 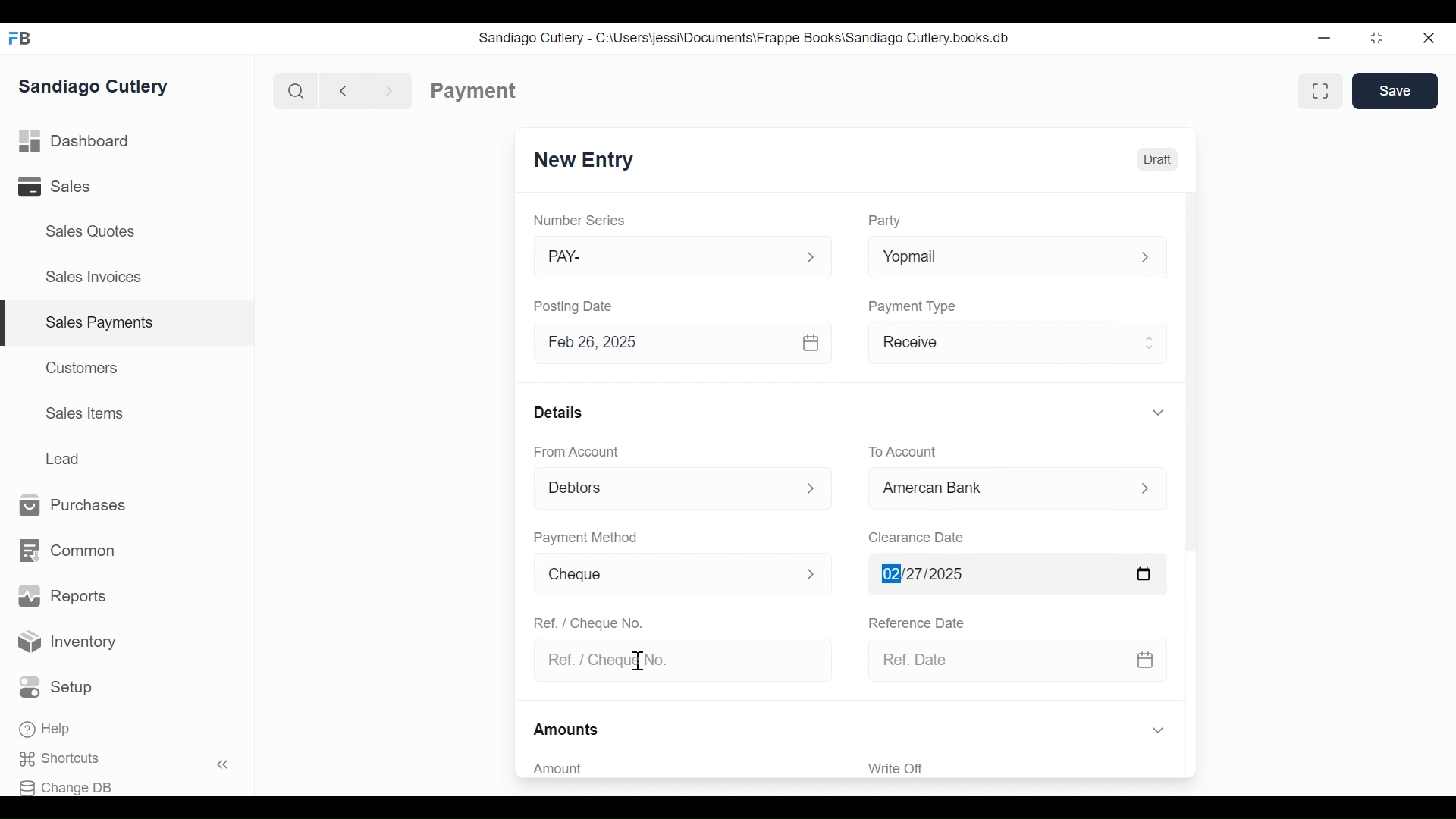 What do you see at coordinates (1156, 158) in the screenshot?
I see `Draft` at bounding box center [1156, 158].